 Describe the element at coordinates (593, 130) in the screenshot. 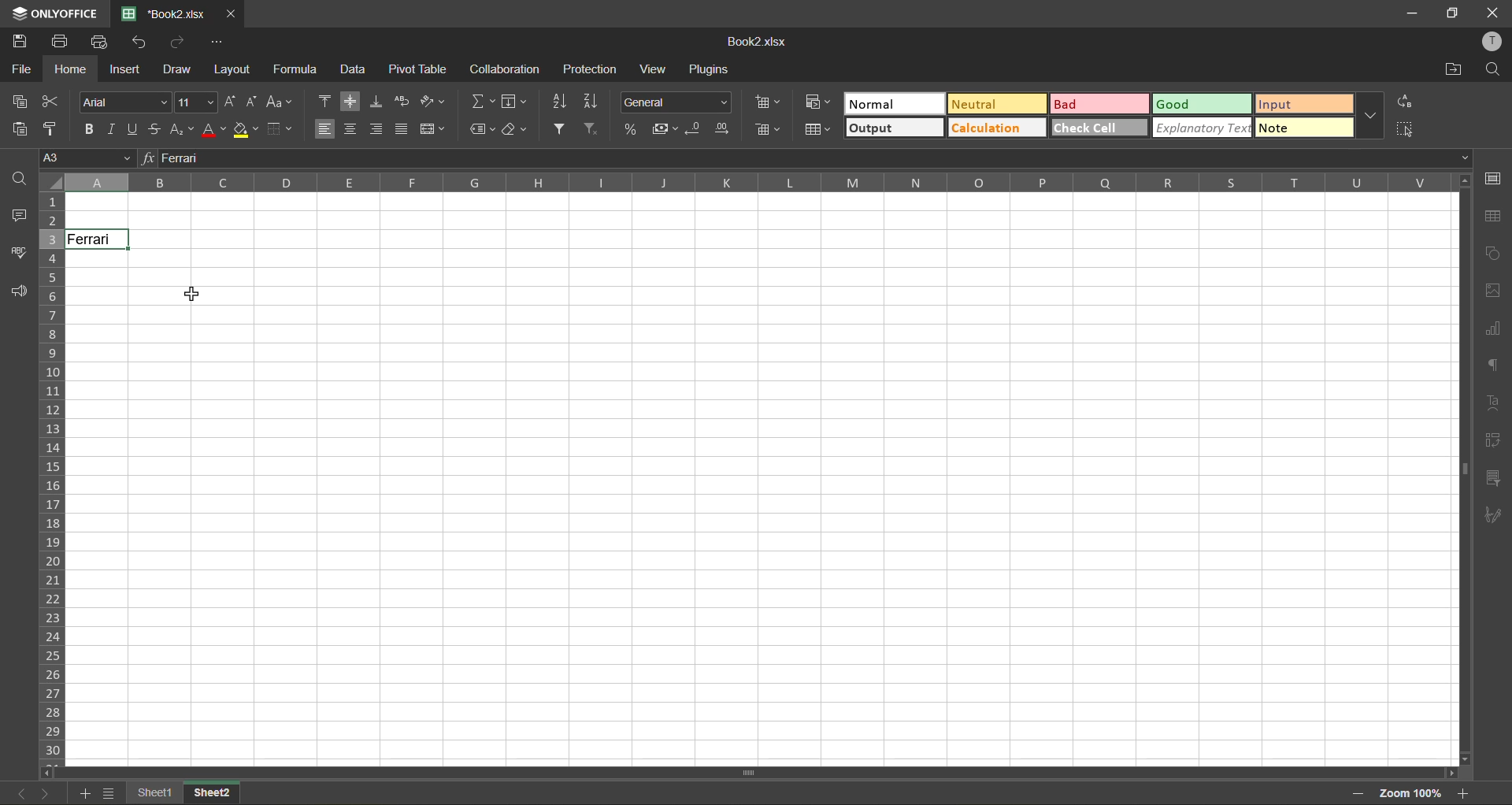

I see `clear filter` at that location.